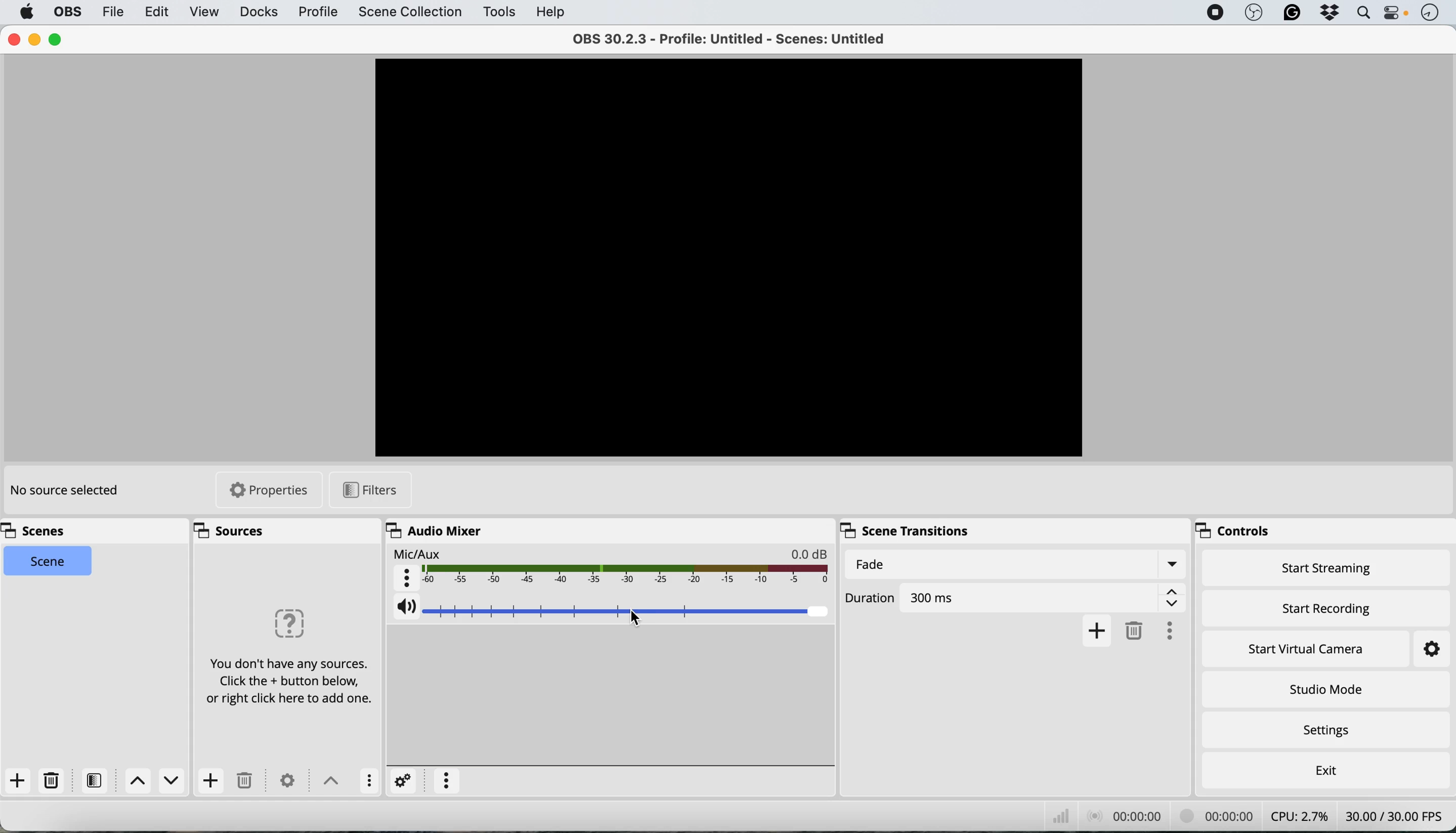  What do you see at coordinates (96, 780) in the screenshot?
I see `filters` at bounding box center [96, 780].